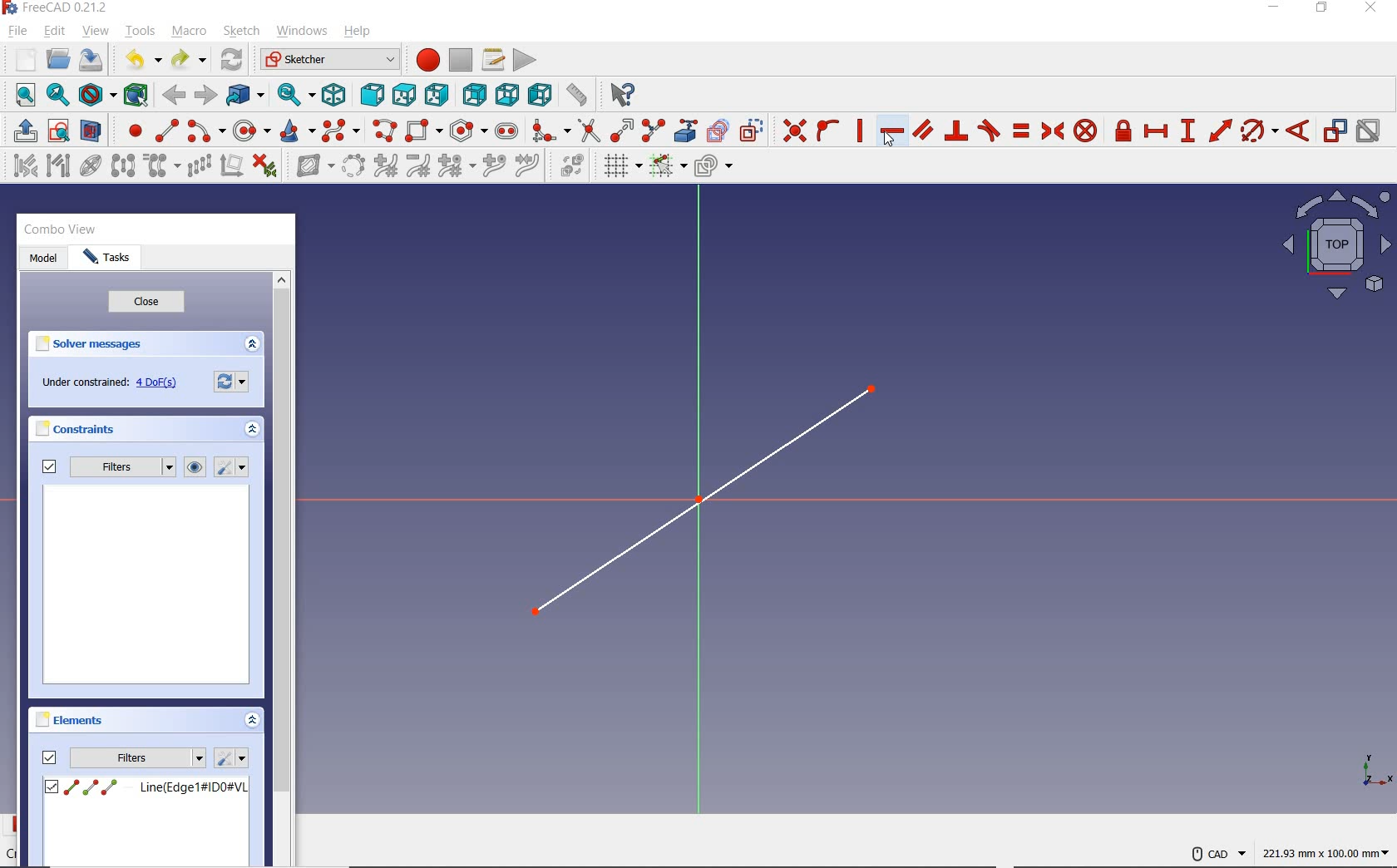 The image size is (1397, 868). Describe the element at coordinates (417, 165) in the screenshot. I see `DECREASE B-SPLINE DEGREE` at that location.